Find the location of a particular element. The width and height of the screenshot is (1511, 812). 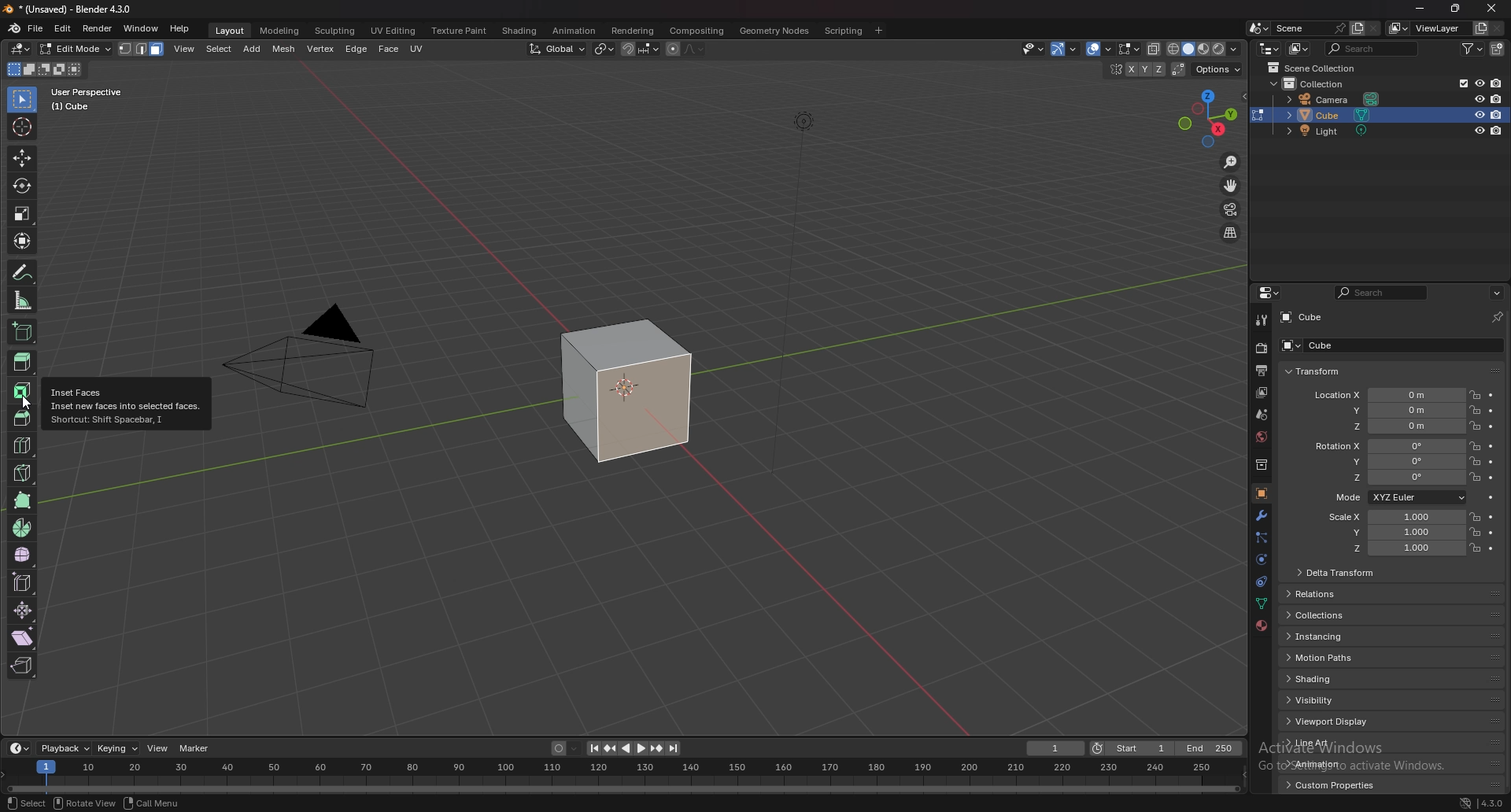

scroll bar is located at coordinates (1508, 555).